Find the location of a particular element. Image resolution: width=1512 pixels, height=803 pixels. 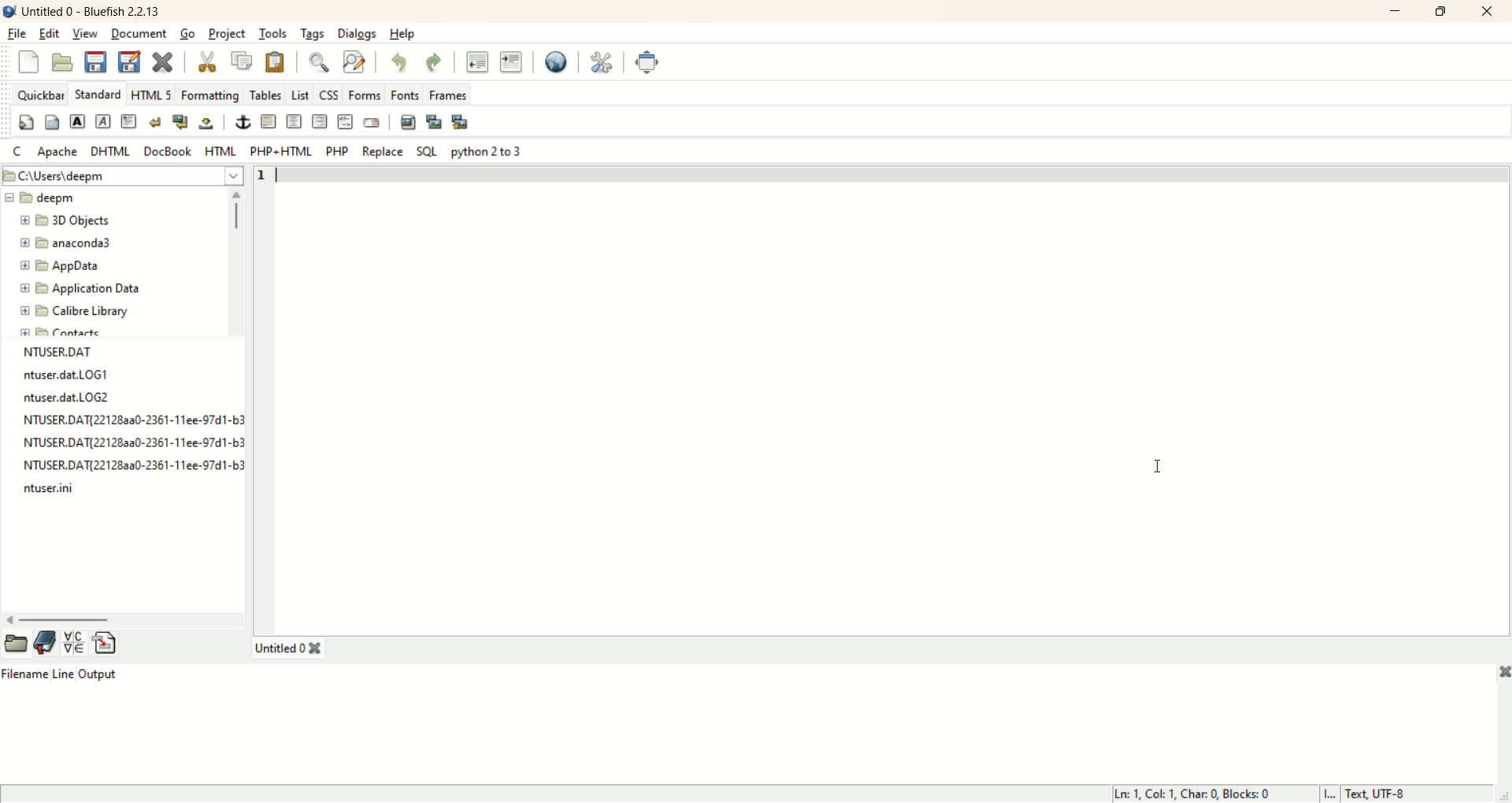

right justify is located at coordinates (319, 124).